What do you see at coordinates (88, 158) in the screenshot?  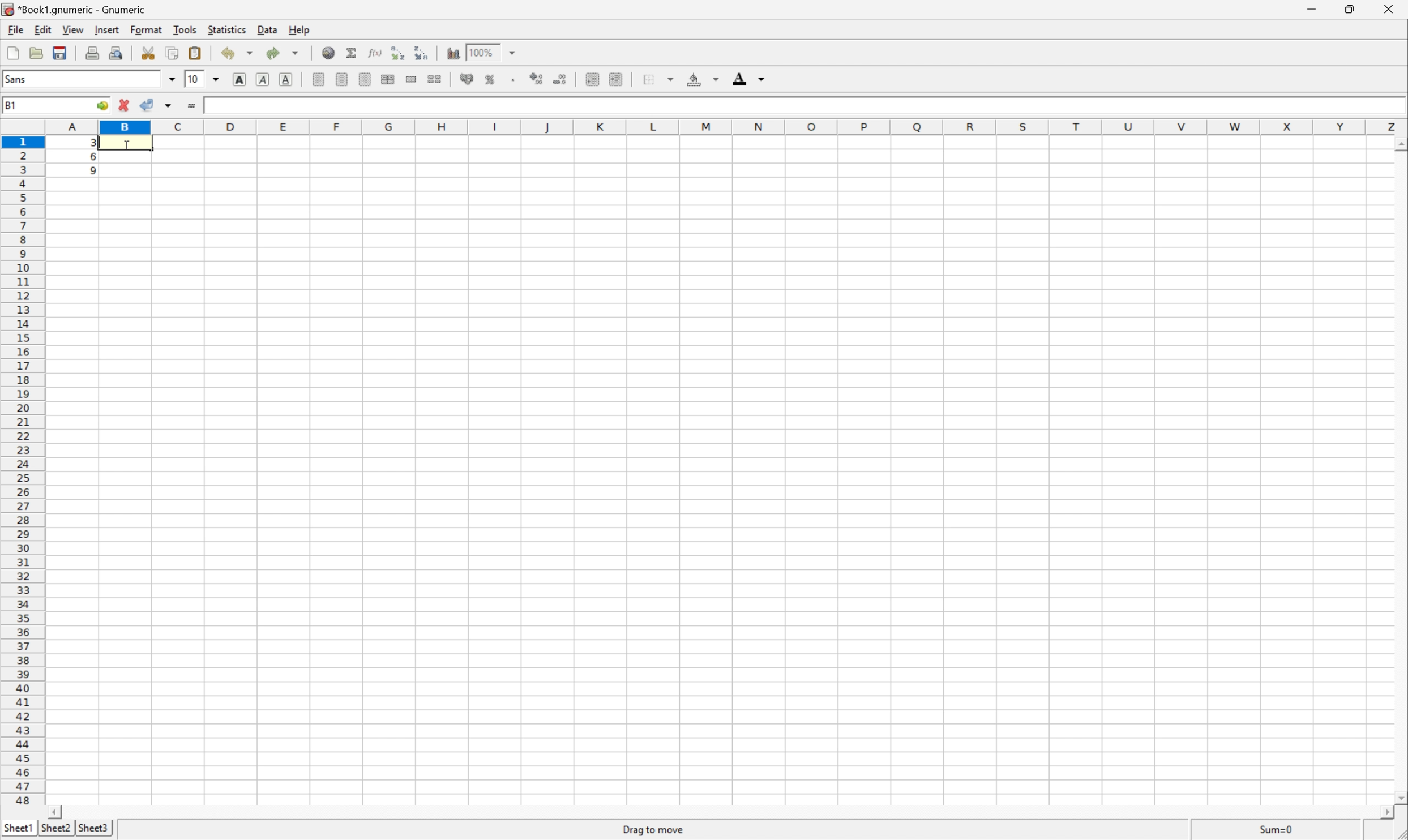 I see `6` at bounding box center [88, 158].